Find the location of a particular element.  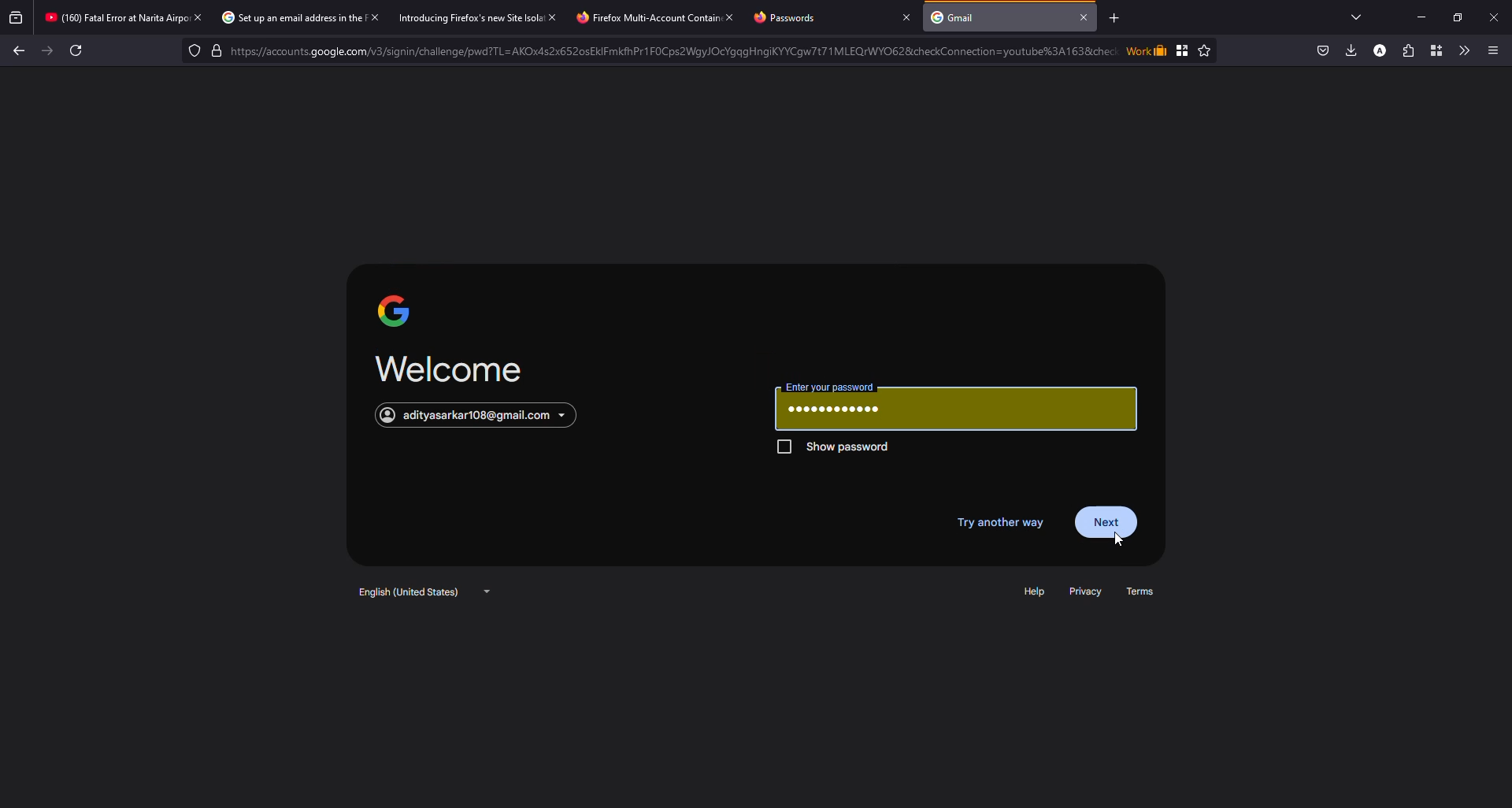

account is located at coordinates (488, 417).